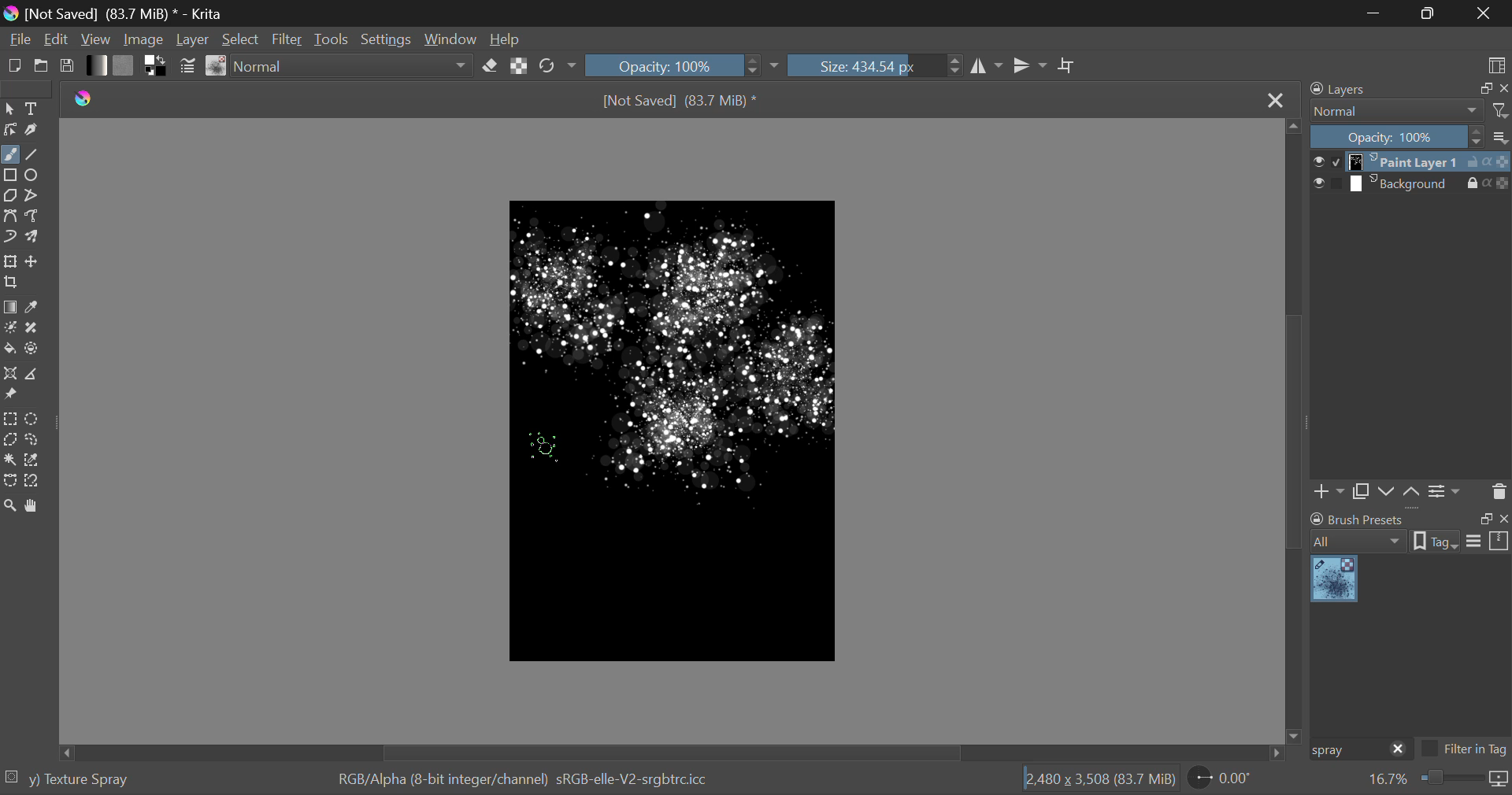 The height and width of the screenshot is (795, 1512). Describe the element at coordinates (34, 176) in the screenshot. I see `Ellipses` at that location.